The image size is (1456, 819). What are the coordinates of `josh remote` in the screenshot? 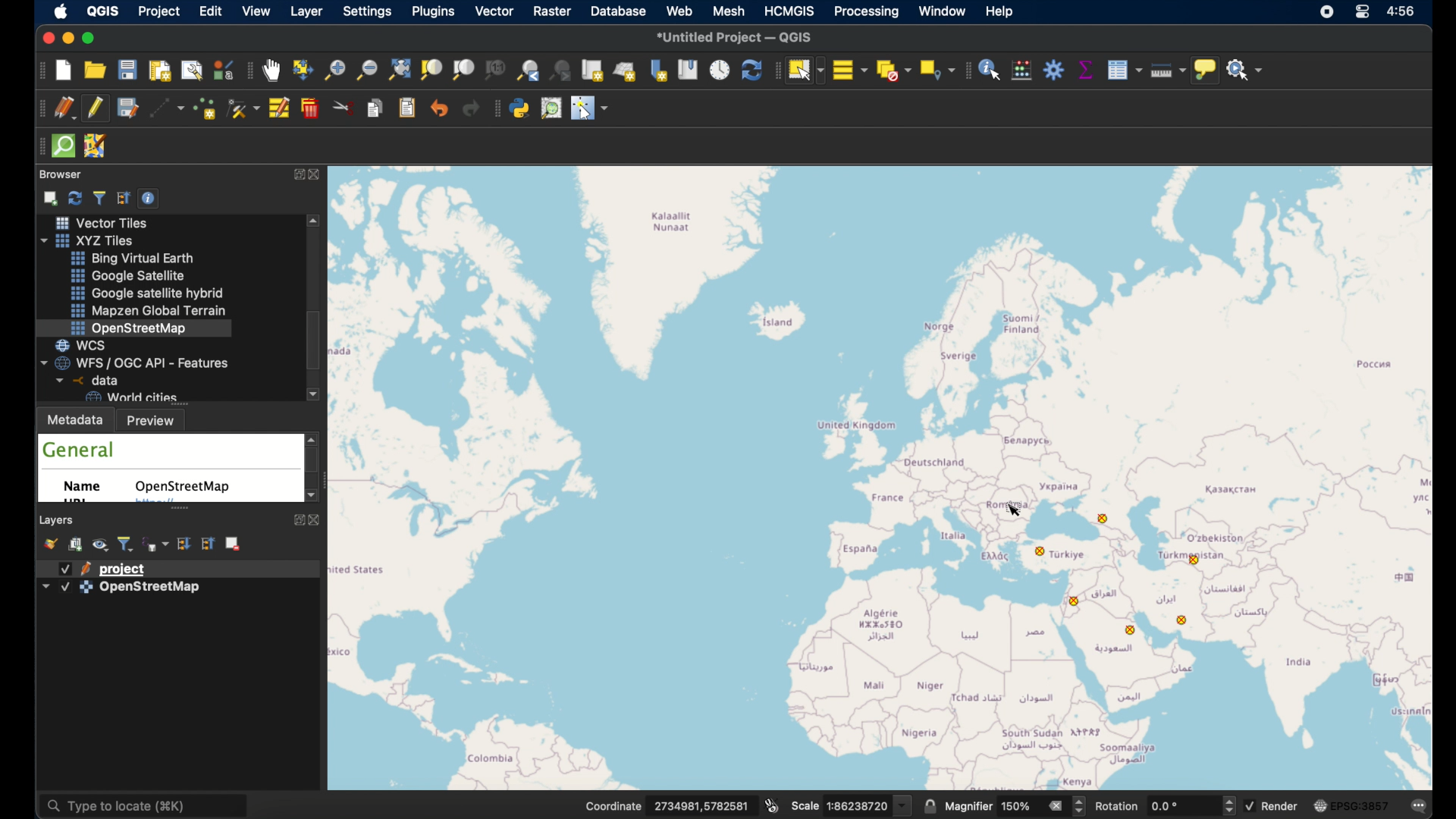 It's located at (96, 146).